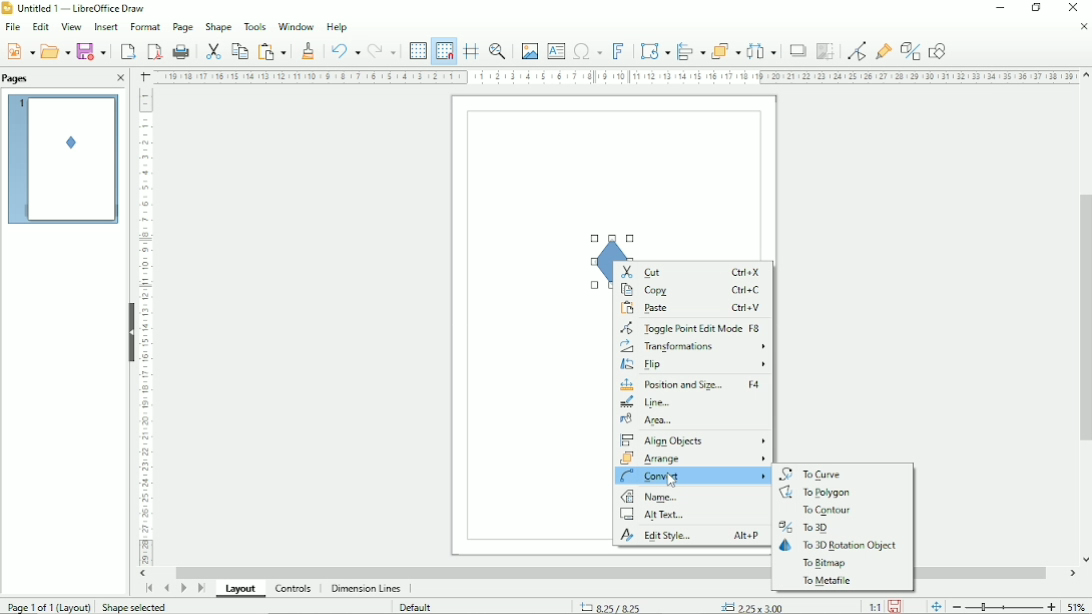 Image resolution: width=1092 pixels, height=614 pixels. What do you see at coordinates (809, 527) in the screenshot?
I see `To 3D` at bounding box center [809, 527].